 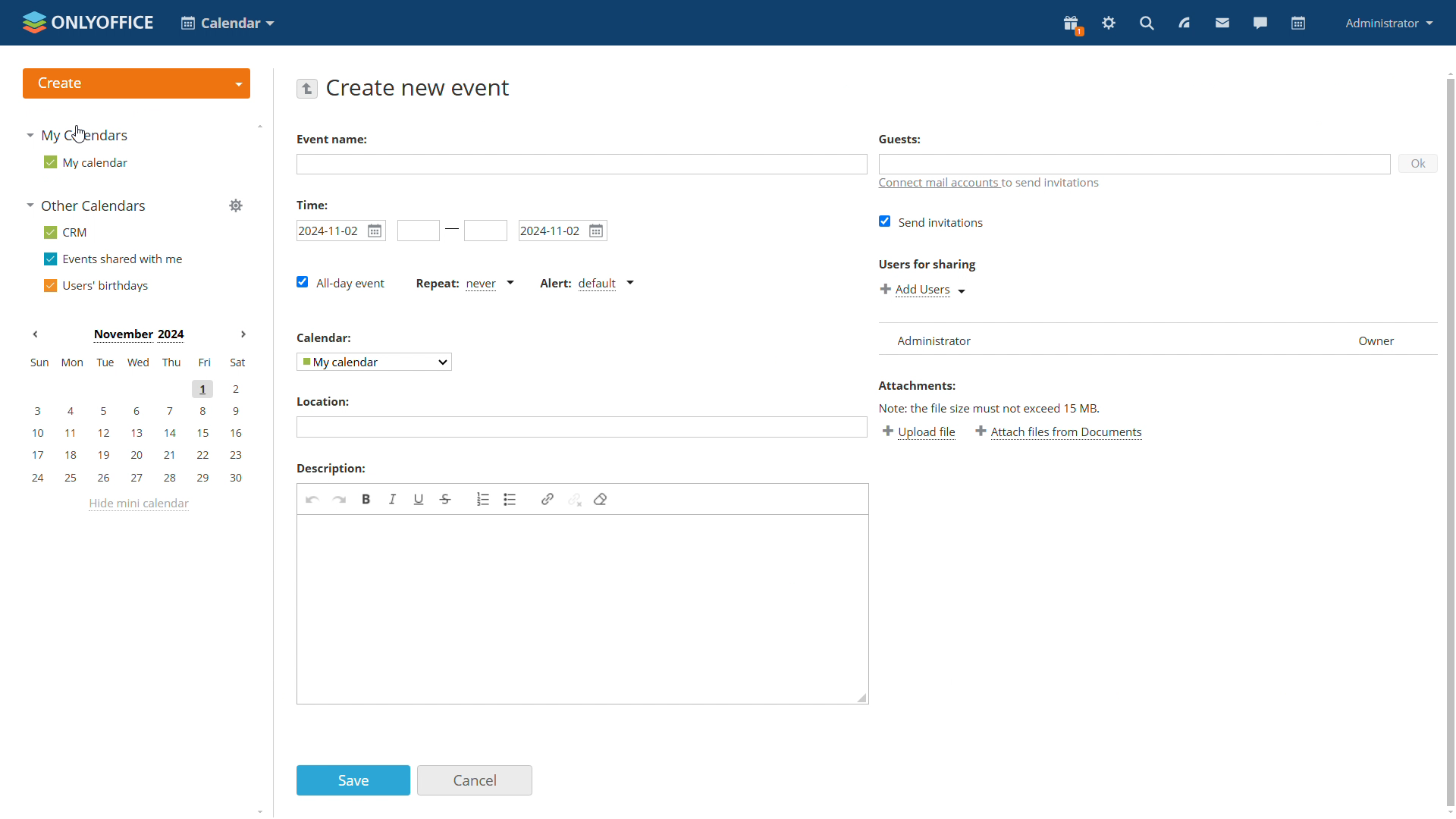 What do you see at coordinates (96, 284) in the screenshot?
I see `users' birthdays` at bounding box center [96, 284].